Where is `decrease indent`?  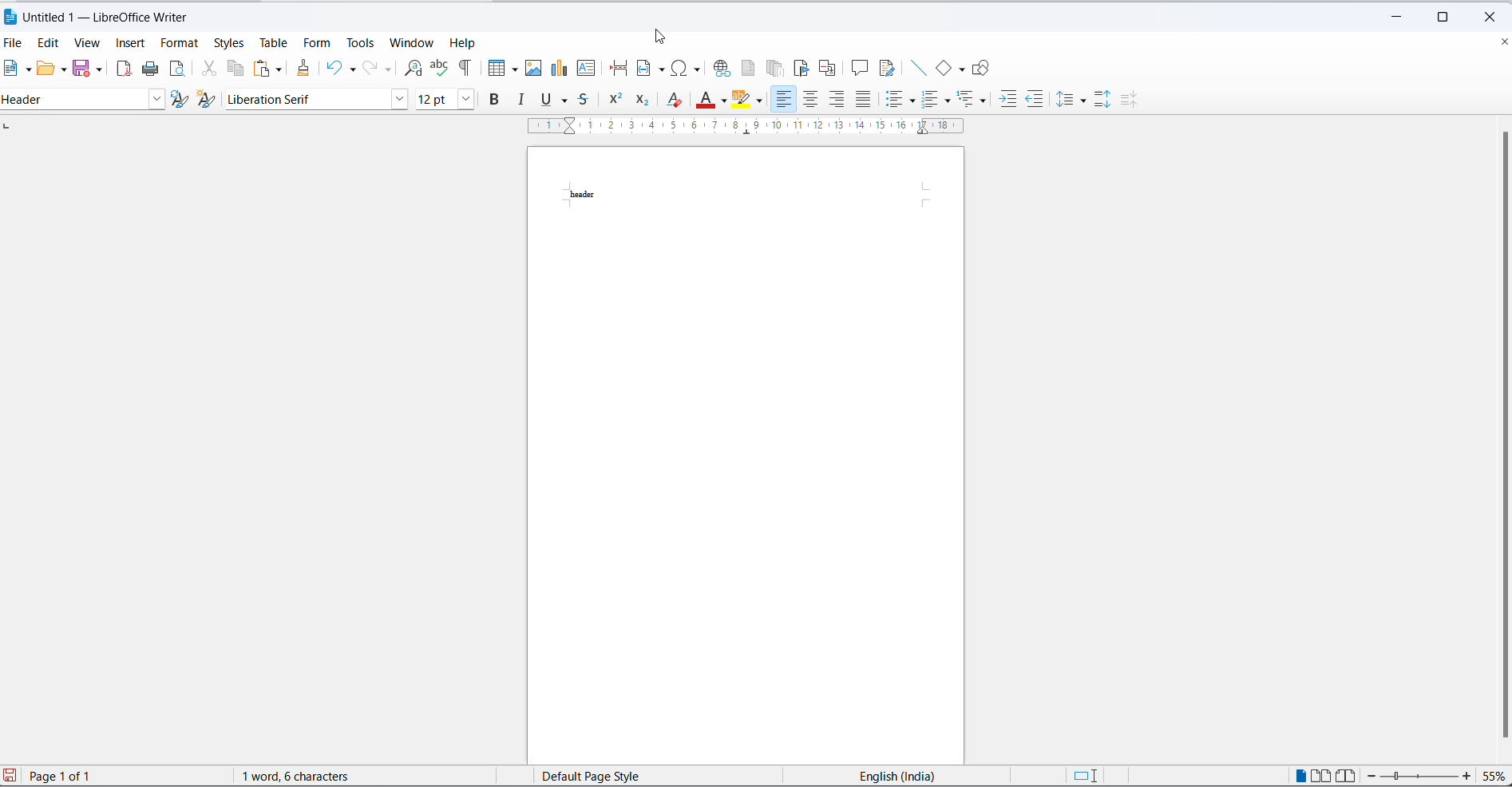 decrease indent is located at coordinates (1035, 100).